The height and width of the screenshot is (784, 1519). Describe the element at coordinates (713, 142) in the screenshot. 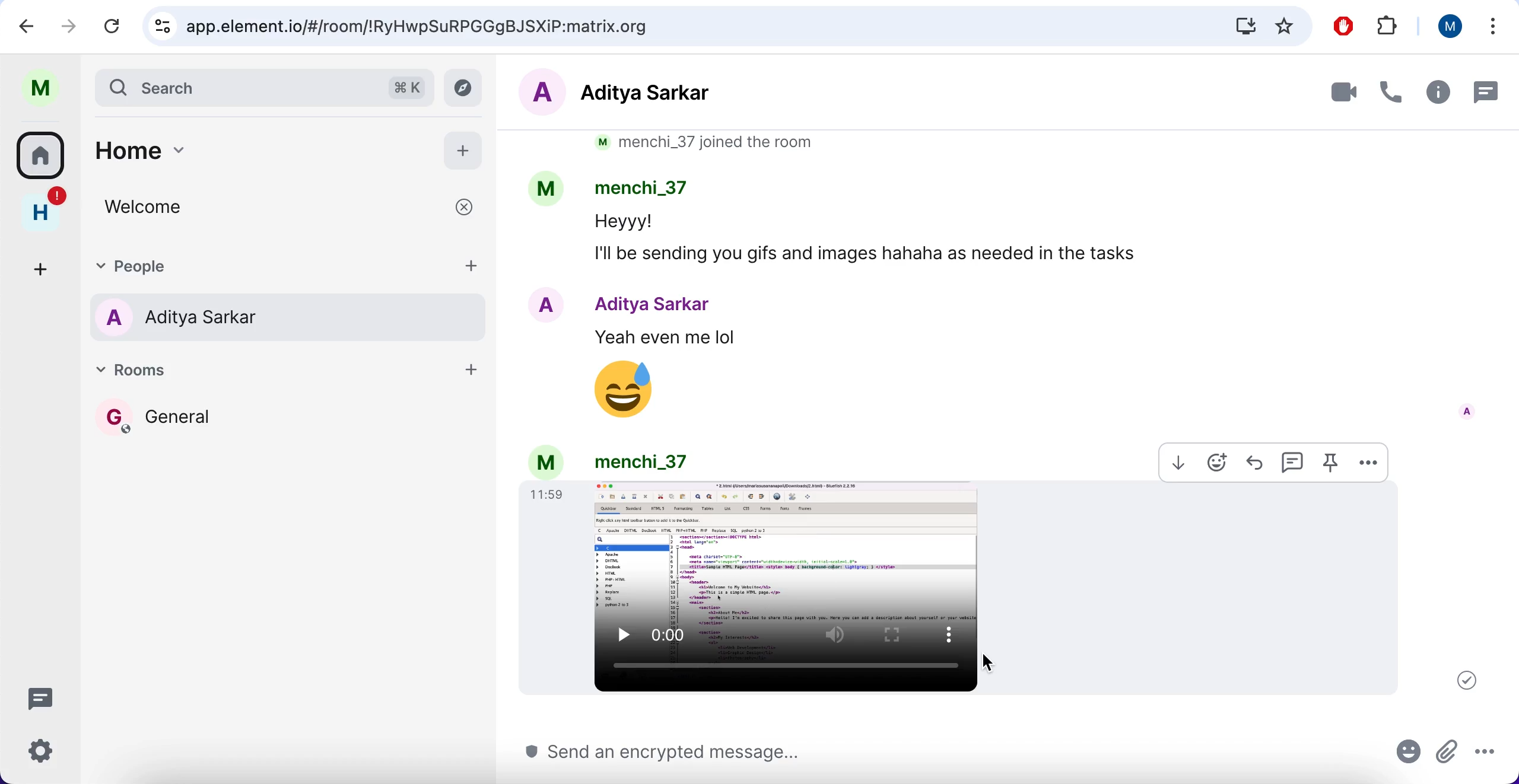

I see `m menchi_37 joined the room` at that location.